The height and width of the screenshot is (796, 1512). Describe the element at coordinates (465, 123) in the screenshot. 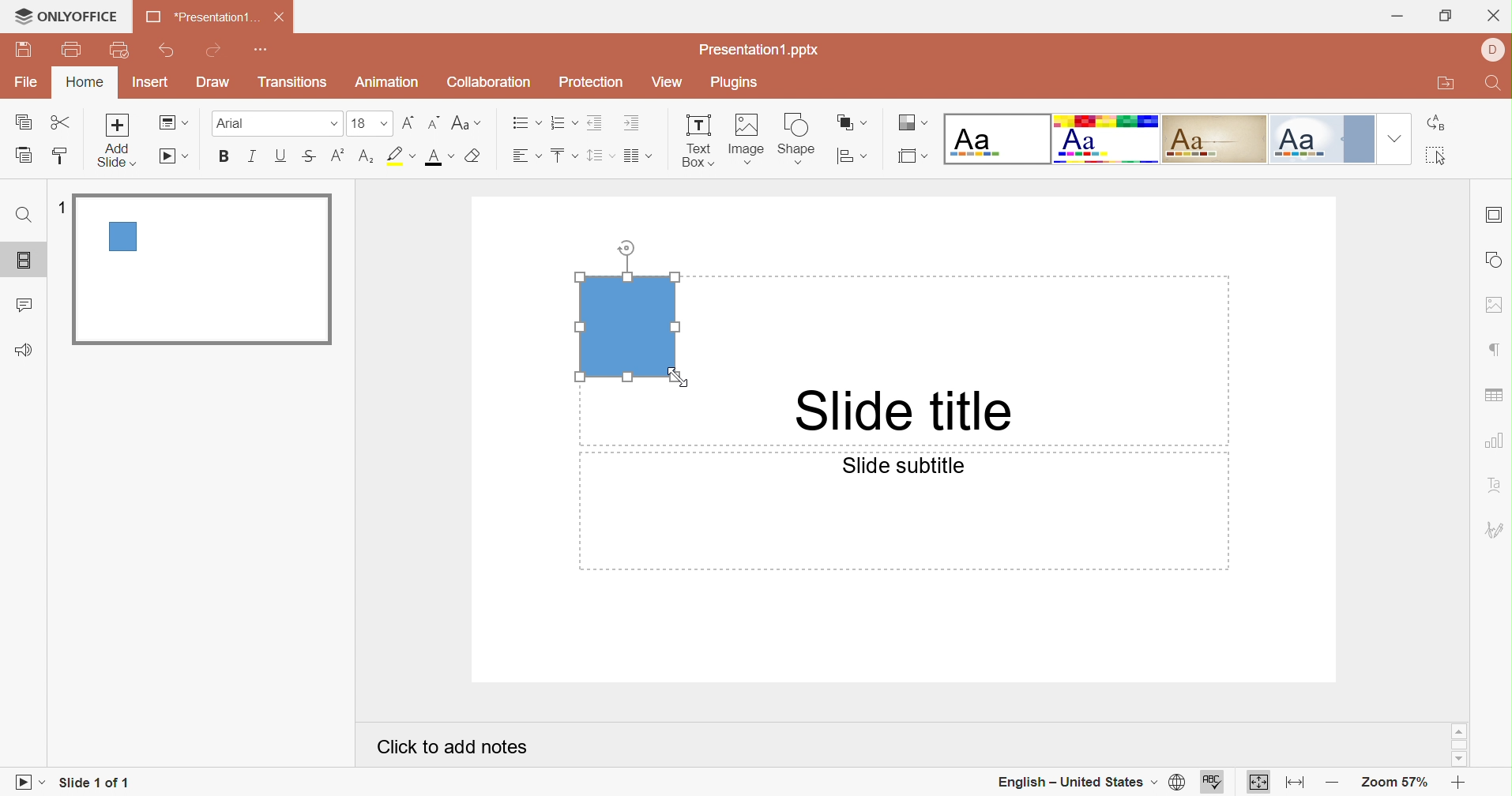

I see `Change case` at that location.